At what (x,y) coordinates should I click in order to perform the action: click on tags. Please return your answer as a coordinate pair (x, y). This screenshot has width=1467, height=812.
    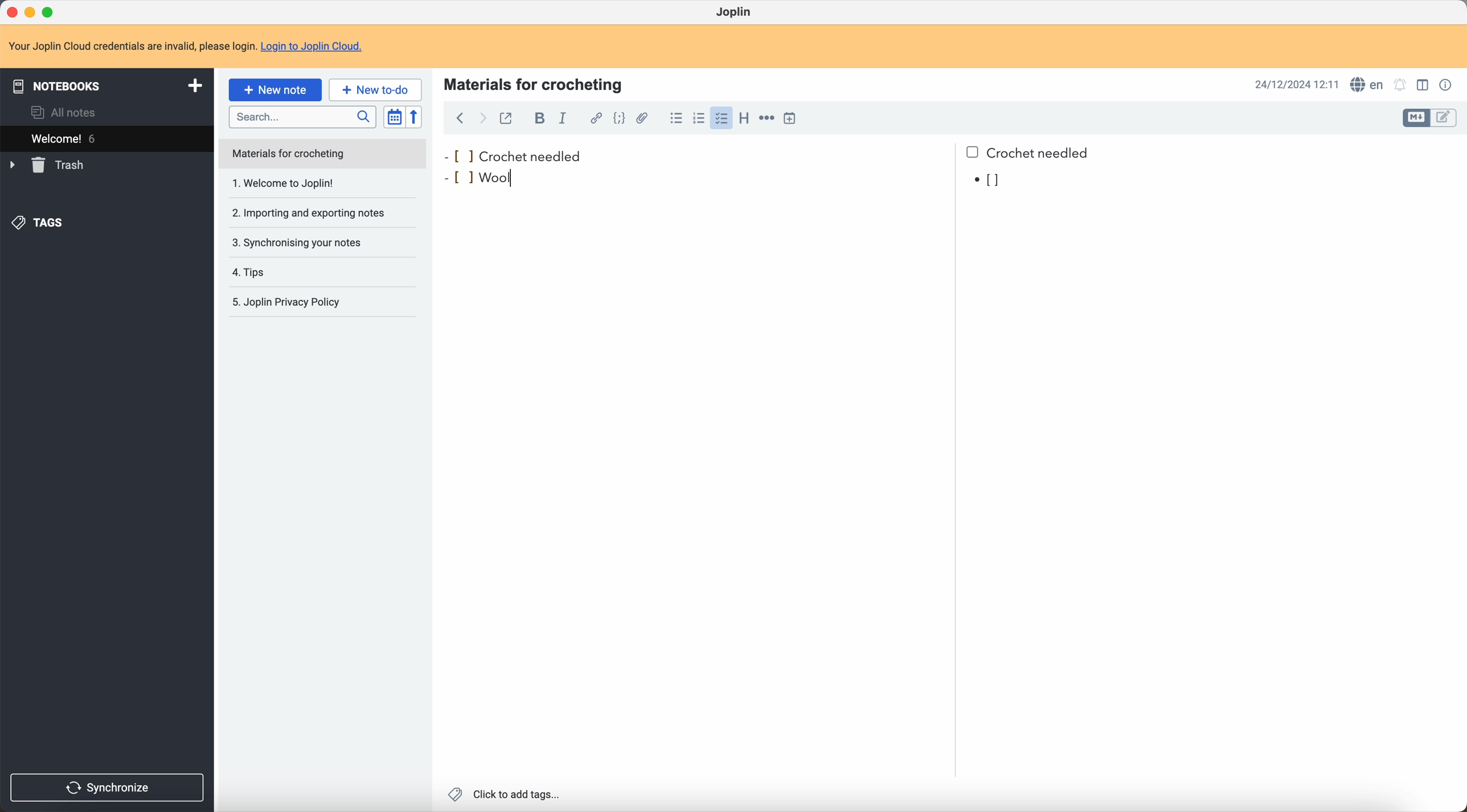
    Looking at the image, I should click on (40, 224).